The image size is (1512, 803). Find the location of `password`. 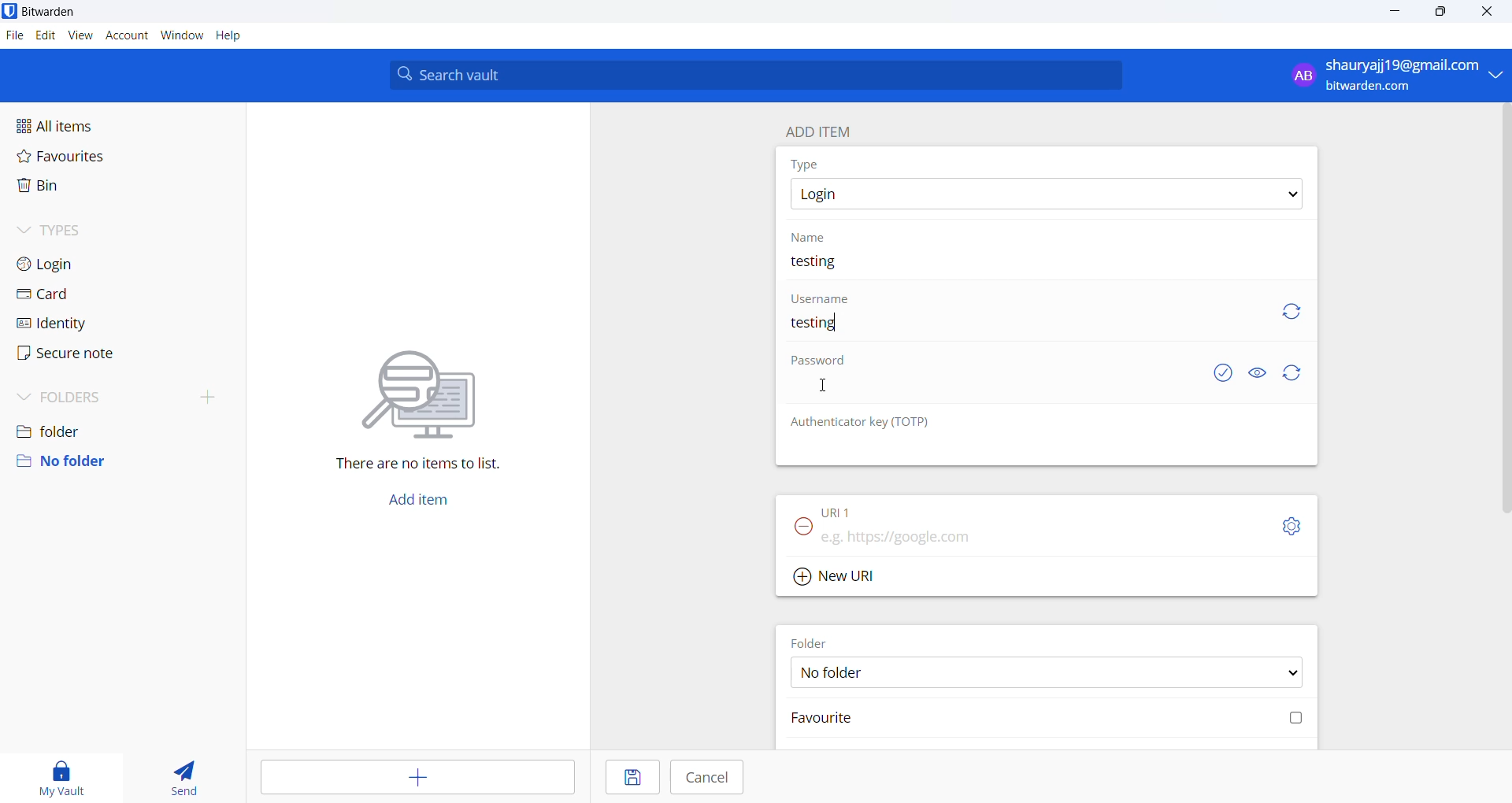

password is located at coordinates (826, 361).